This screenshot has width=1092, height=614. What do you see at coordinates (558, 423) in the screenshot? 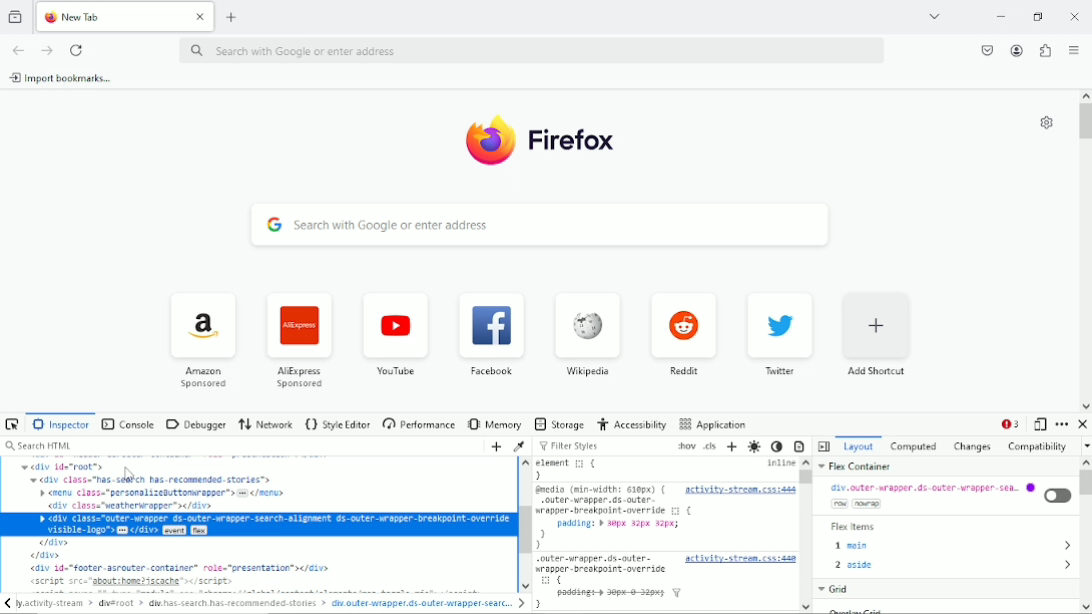
I see `Storage` at bounding box center [558, 423].